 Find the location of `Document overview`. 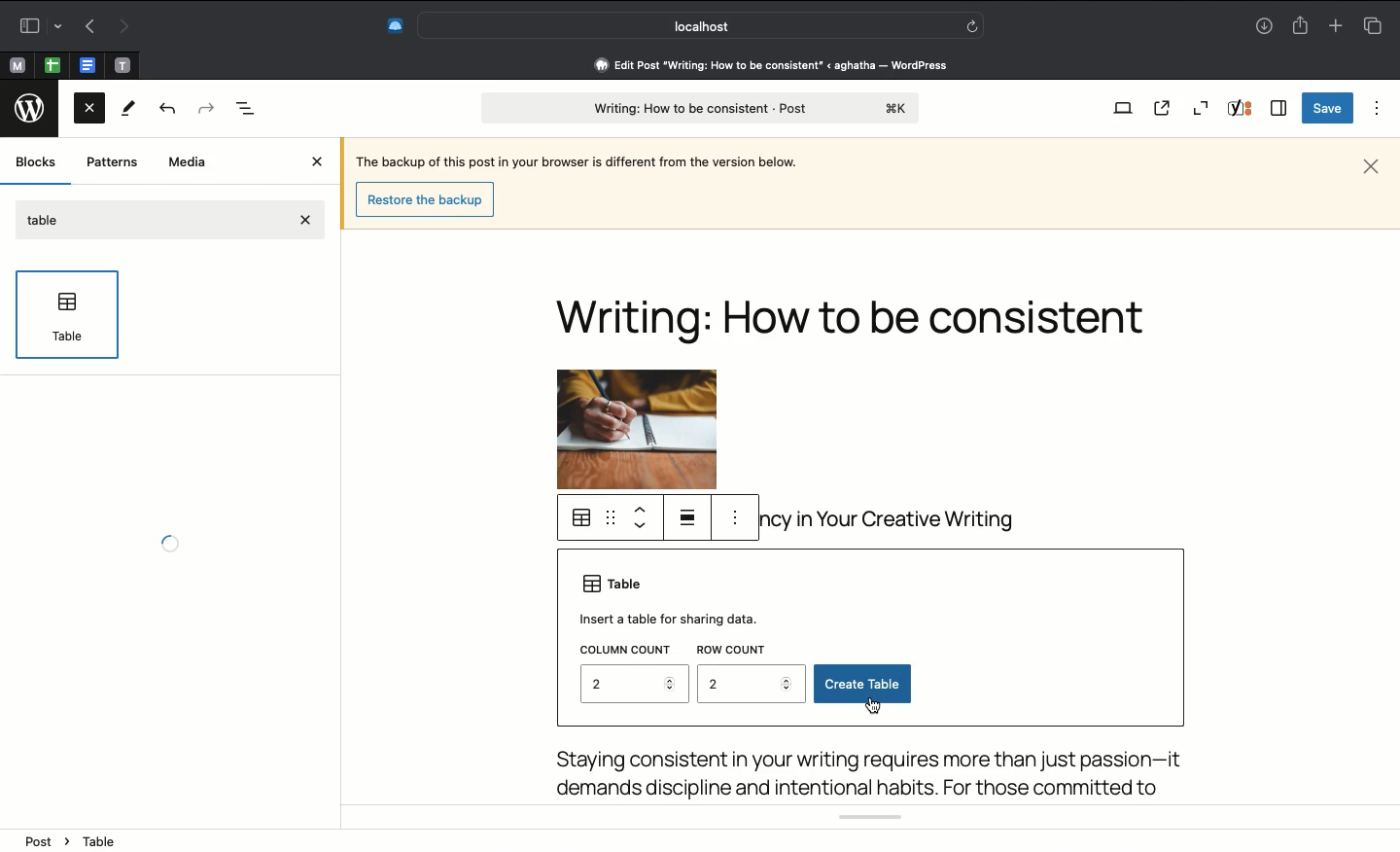

Document overview is located at coordinates (247, 109).